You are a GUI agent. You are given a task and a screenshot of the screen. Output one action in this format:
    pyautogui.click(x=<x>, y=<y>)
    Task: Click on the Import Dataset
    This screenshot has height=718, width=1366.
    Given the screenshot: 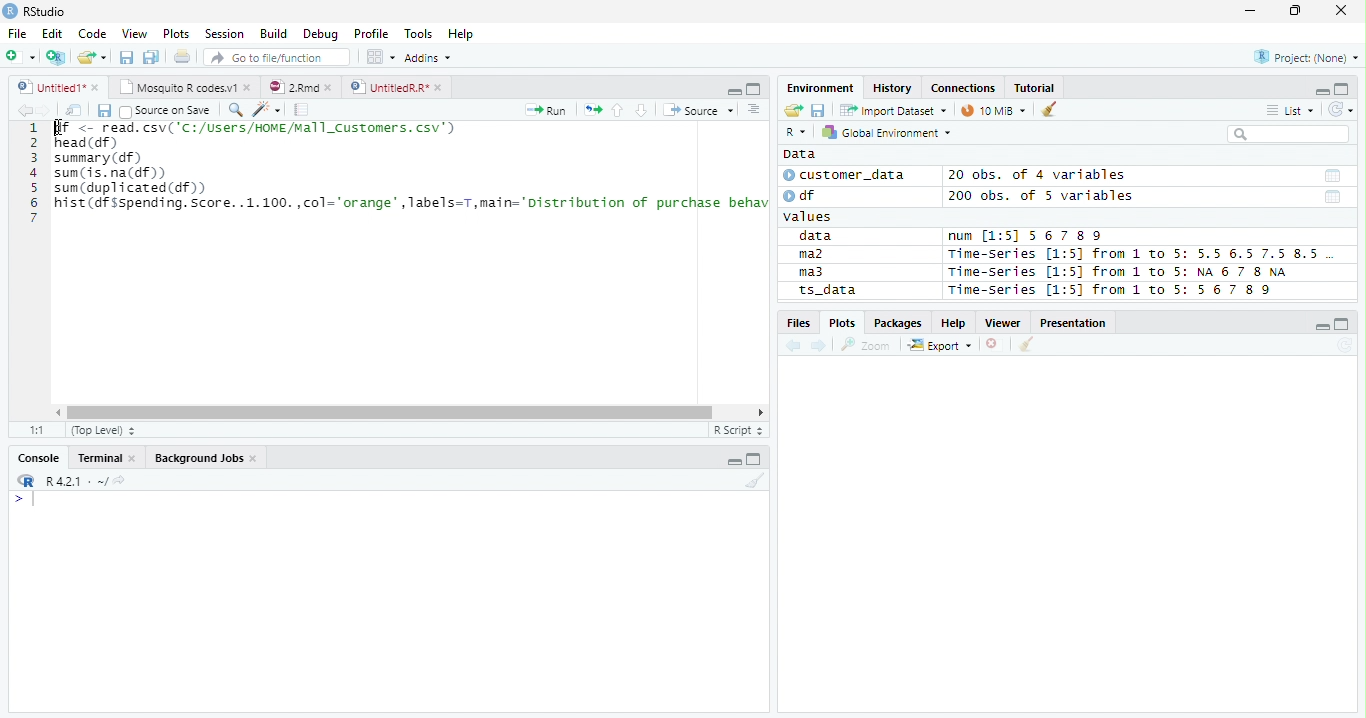 What is the action you would take?
    pyautogui.click(x=891, y=110)
    